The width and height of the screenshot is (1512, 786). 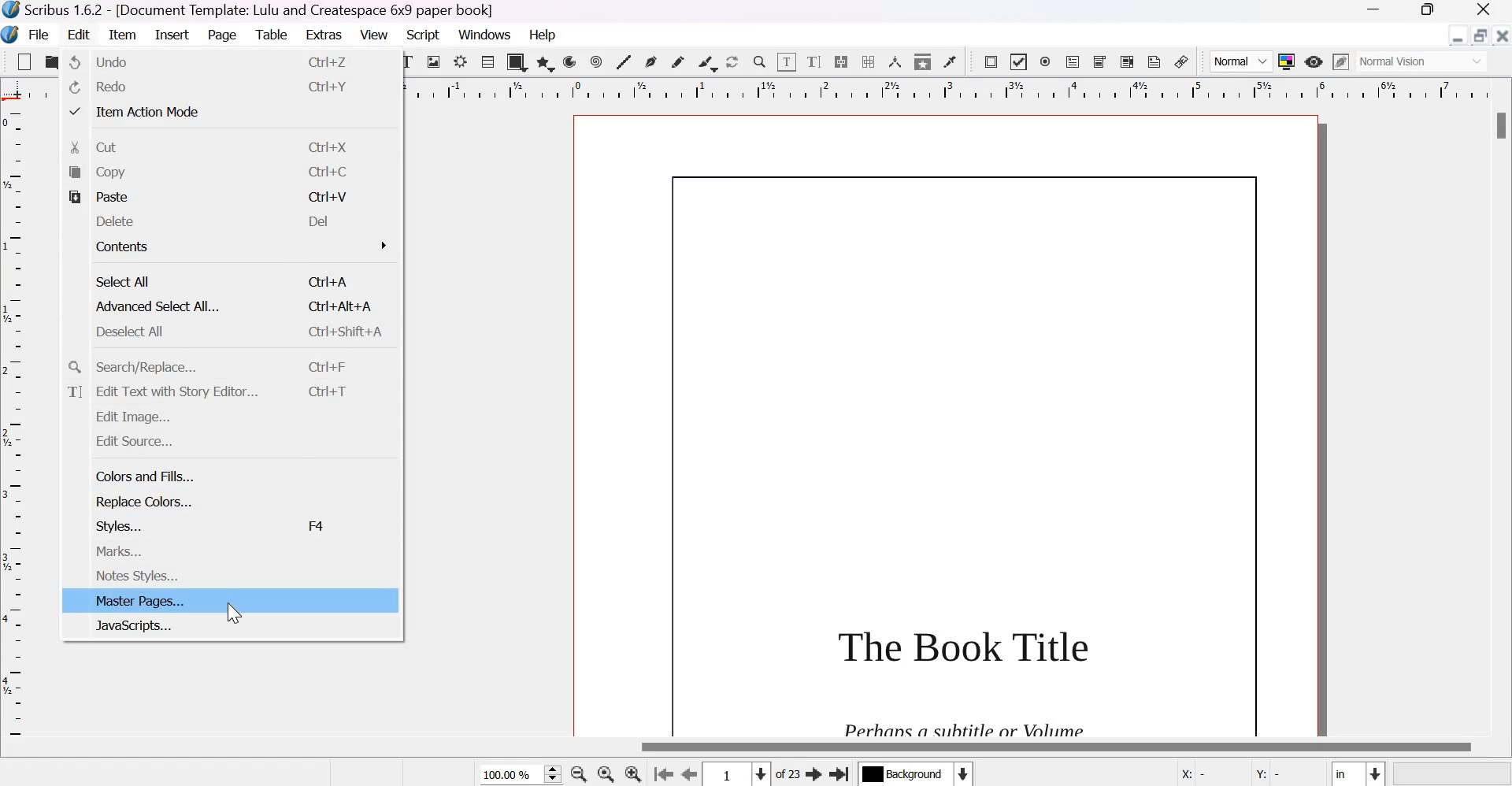 I want to click on colors and fills..., so click(x=149, y=474).